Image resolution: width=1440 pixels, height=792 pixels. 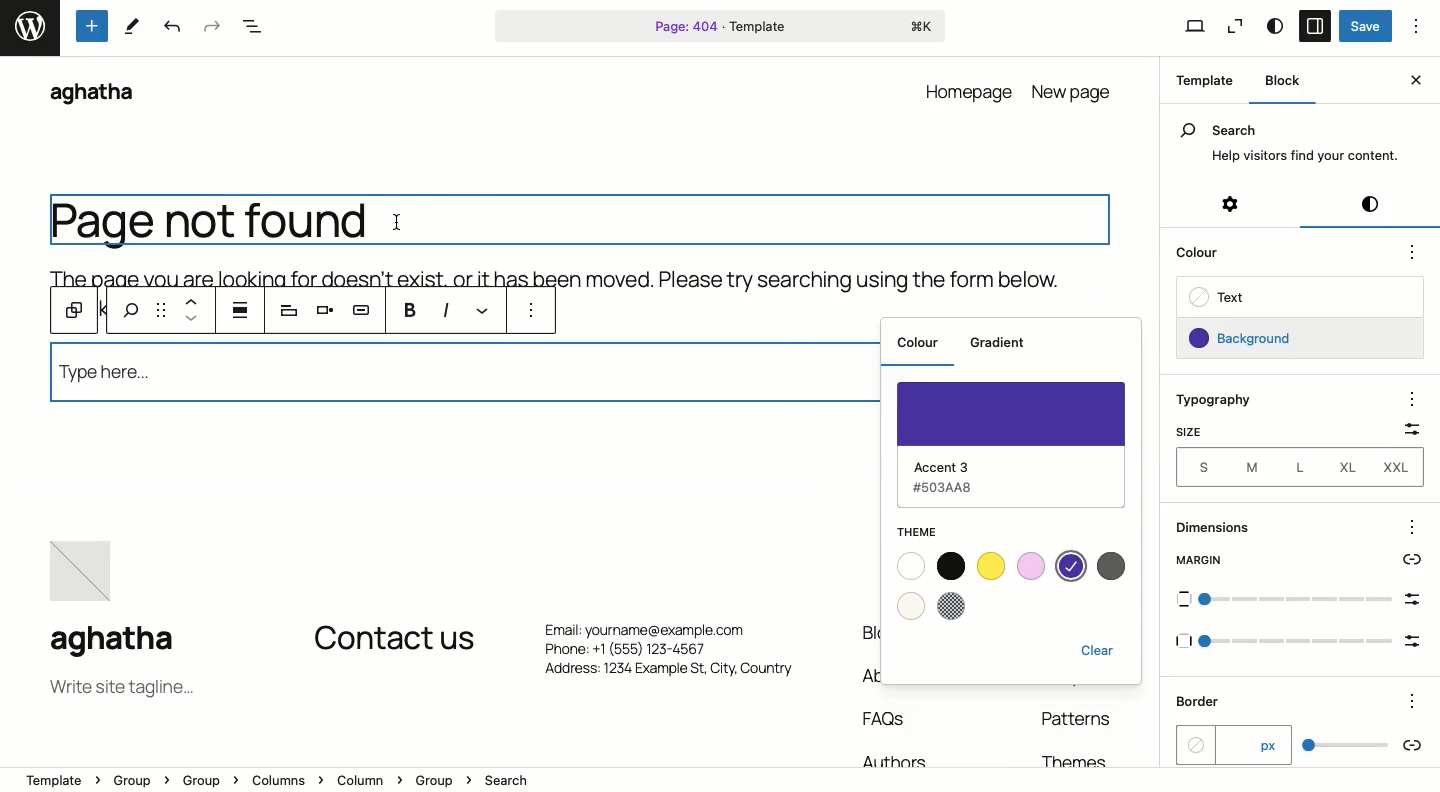 What do you see at coordinates (486, 310) in the screenshot?
I see `Link` at bounding box center [486, 310].